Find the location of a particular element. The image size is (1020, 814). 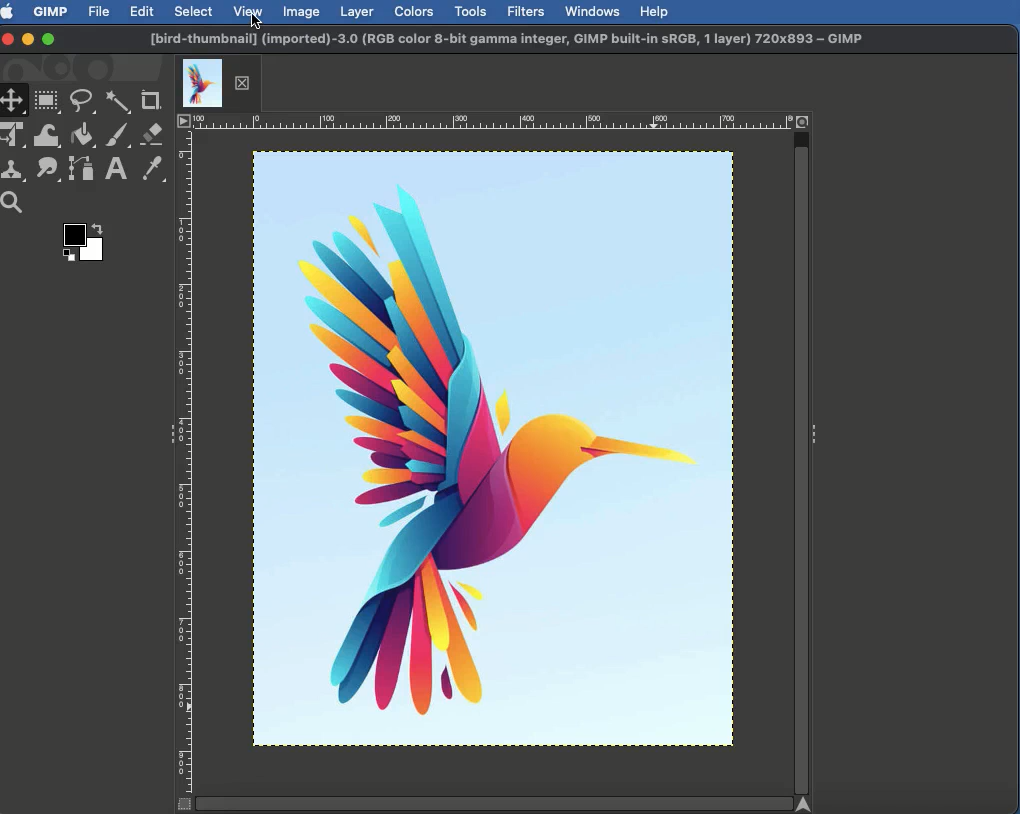

Text is located at coordinates (114, 170).